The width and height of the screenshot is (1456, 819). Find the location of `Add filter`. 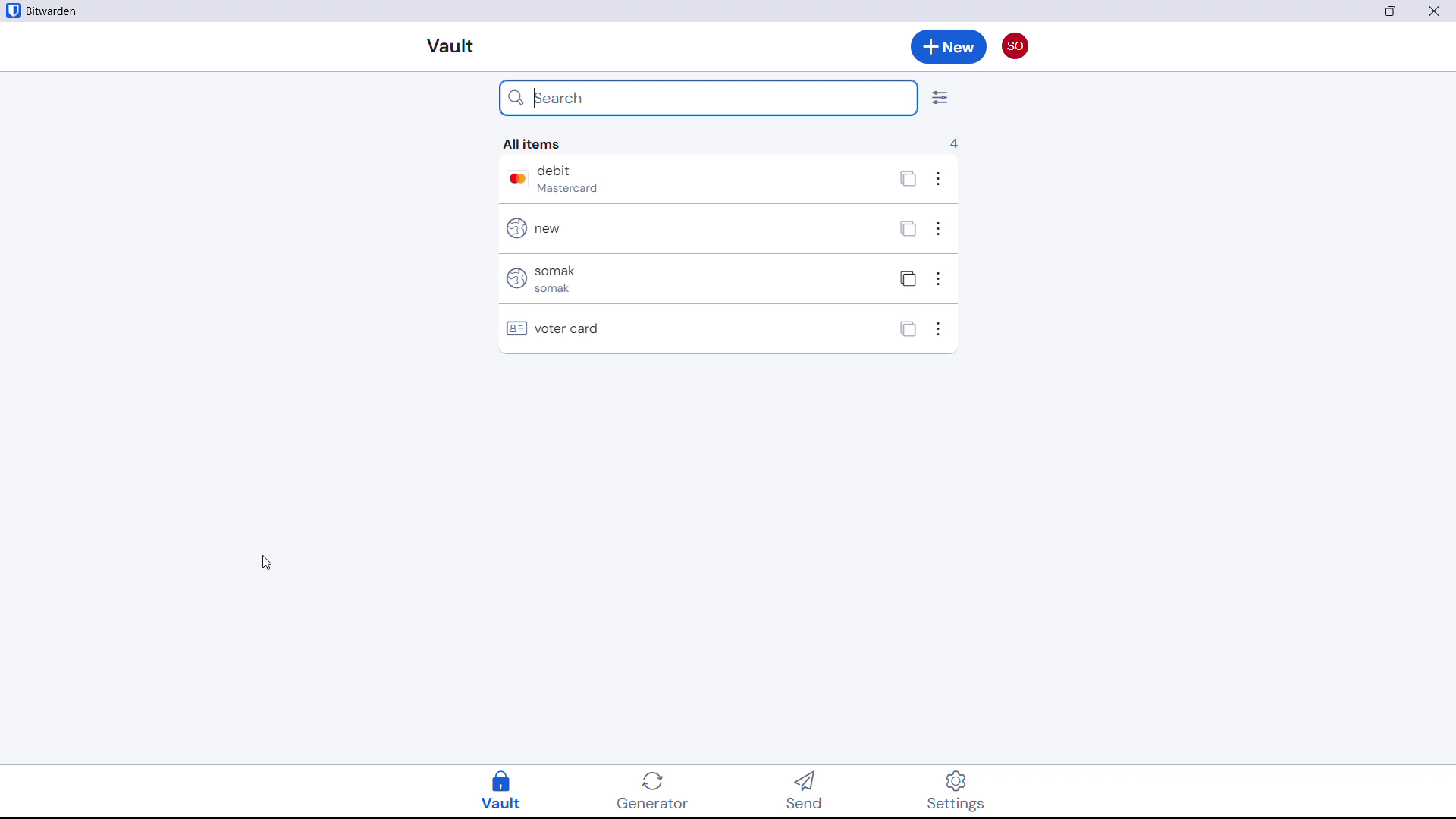

Add filter is located at coordinates (940, 98).